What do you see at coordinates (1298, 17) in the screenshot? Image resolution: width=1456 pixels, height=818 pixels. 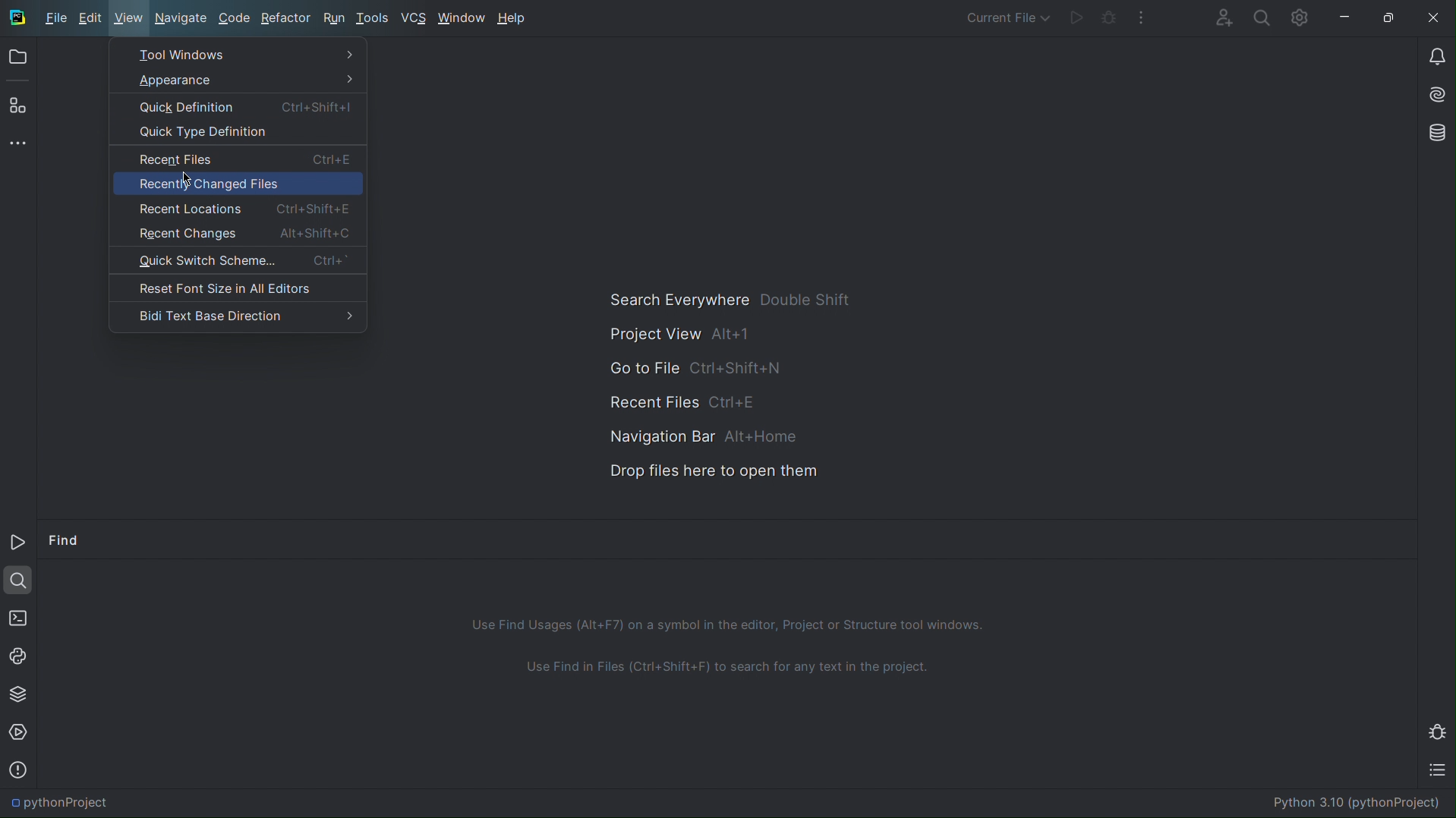 I see `Settings` at bounding box center [1298, 17].